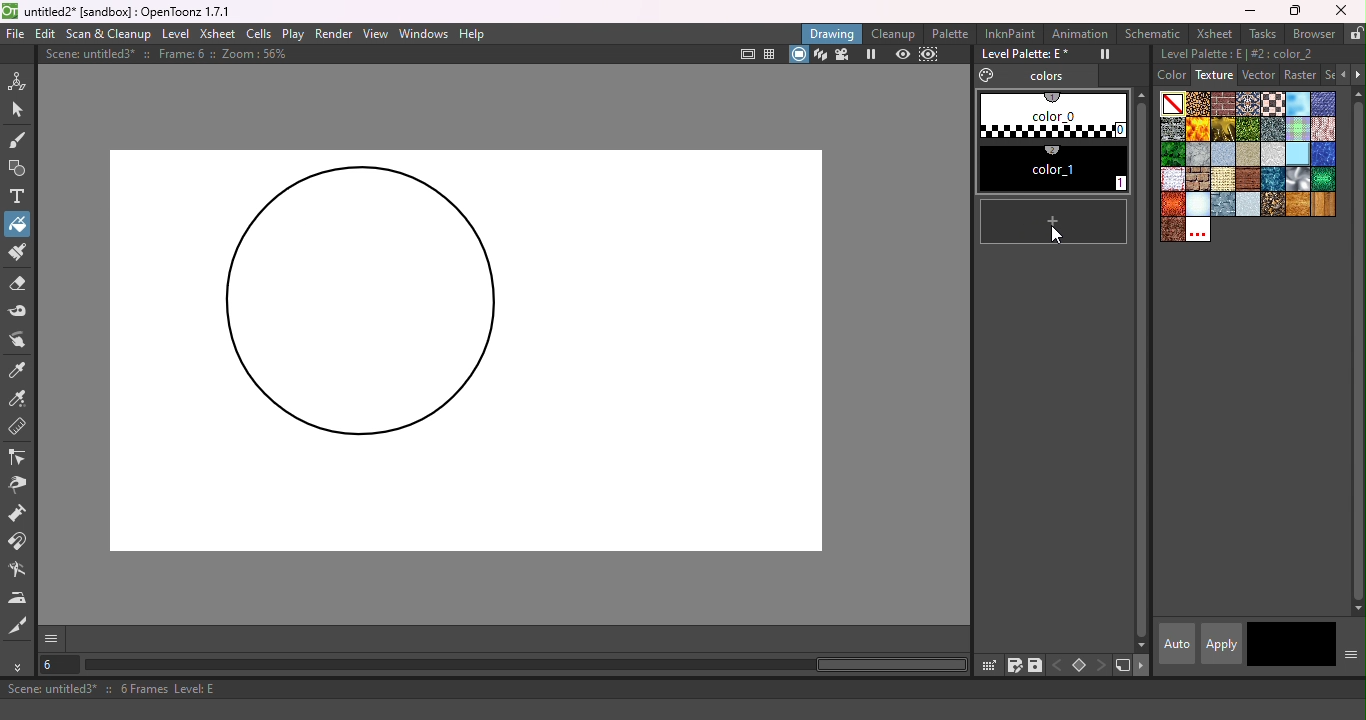  What do you see at coordinates (894, 33) in the screenshot?
I see `Cleanup` at bounding box center [894, 33].